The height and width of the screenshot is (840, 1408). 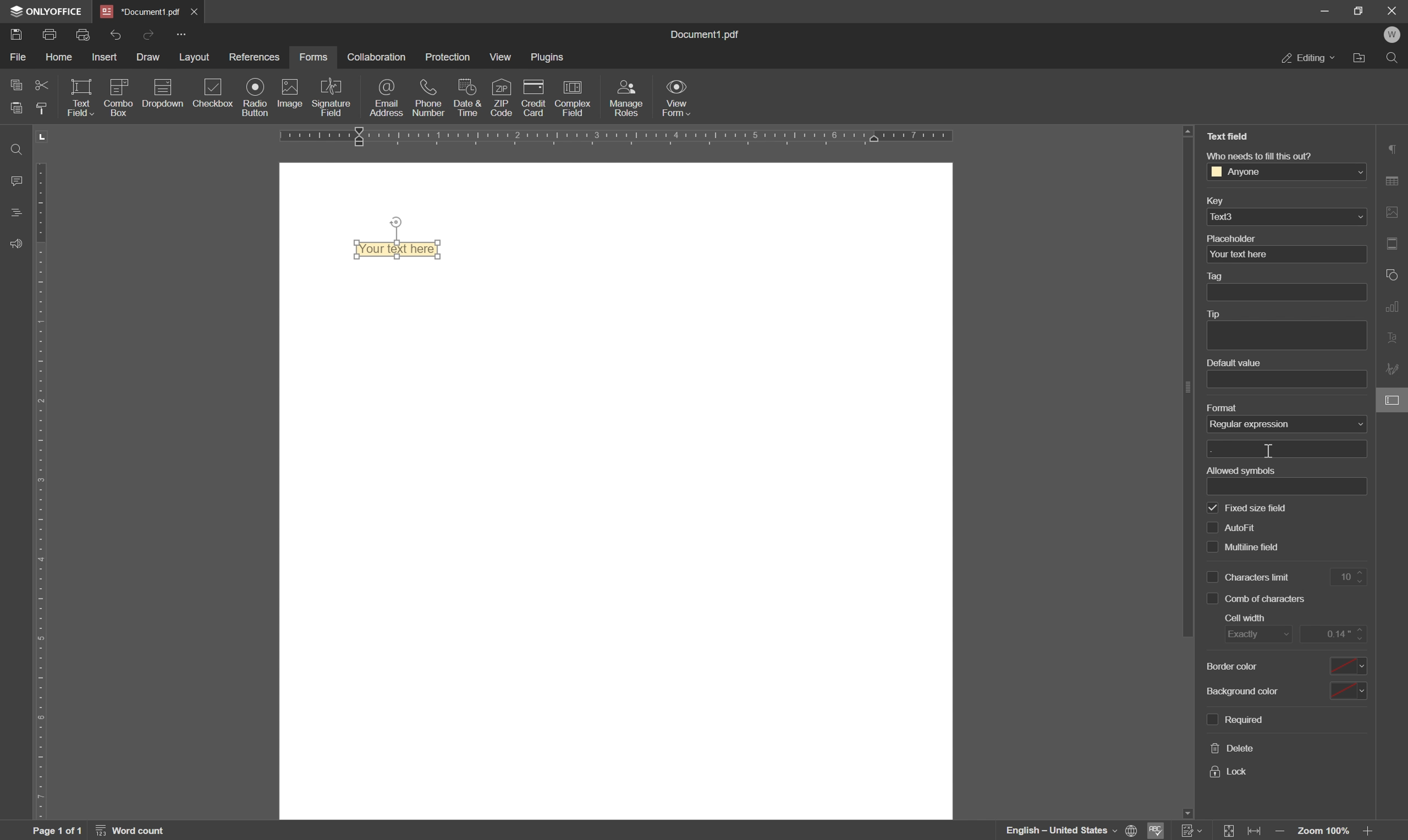 What do you see at coordinates (1228, 136) in the screenshot?
I see `text field` at bounding box center [1228, 136].